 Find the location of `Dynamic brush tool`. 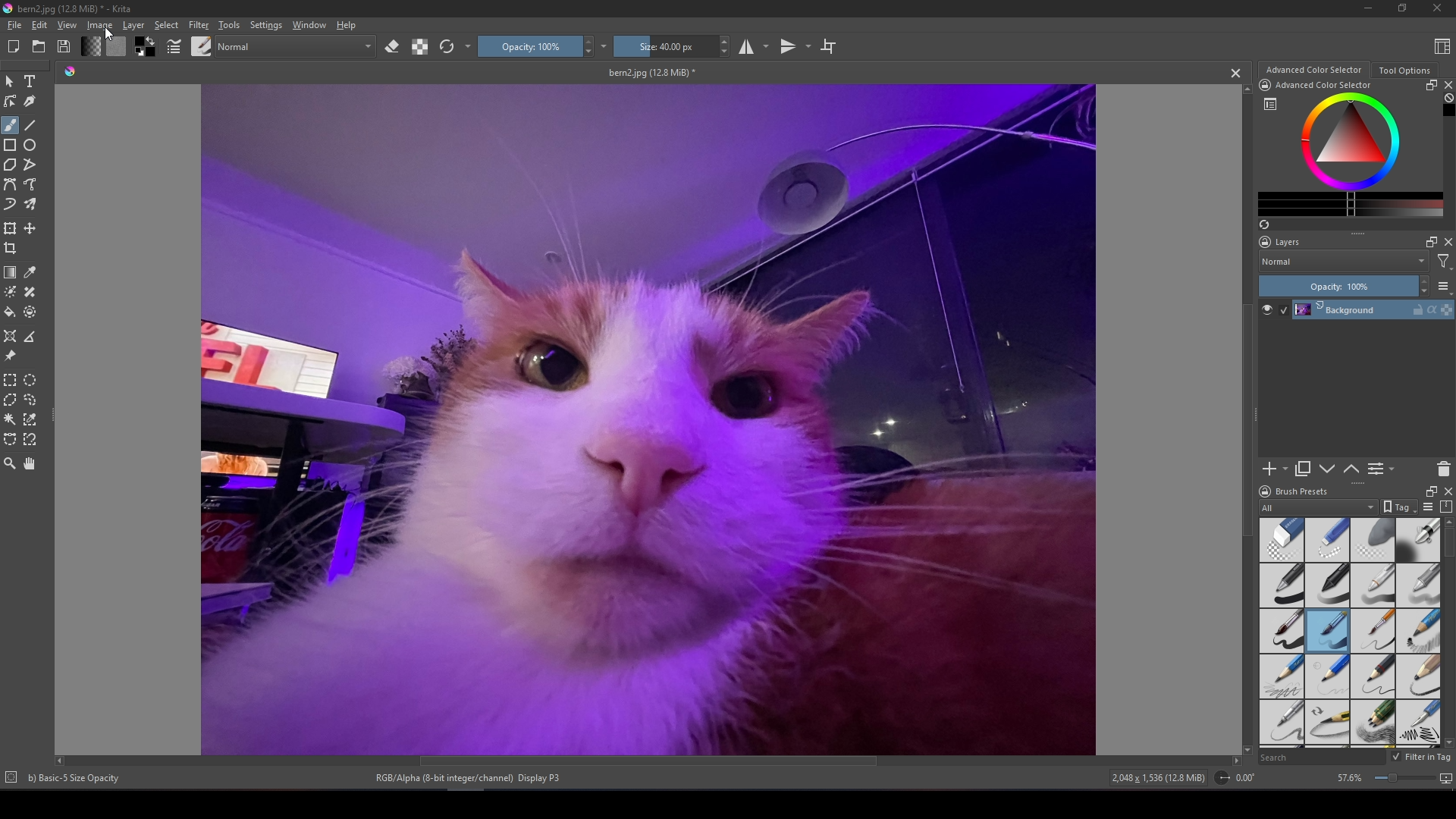

Dynamic brush tool is located at coordinates (11, 203).